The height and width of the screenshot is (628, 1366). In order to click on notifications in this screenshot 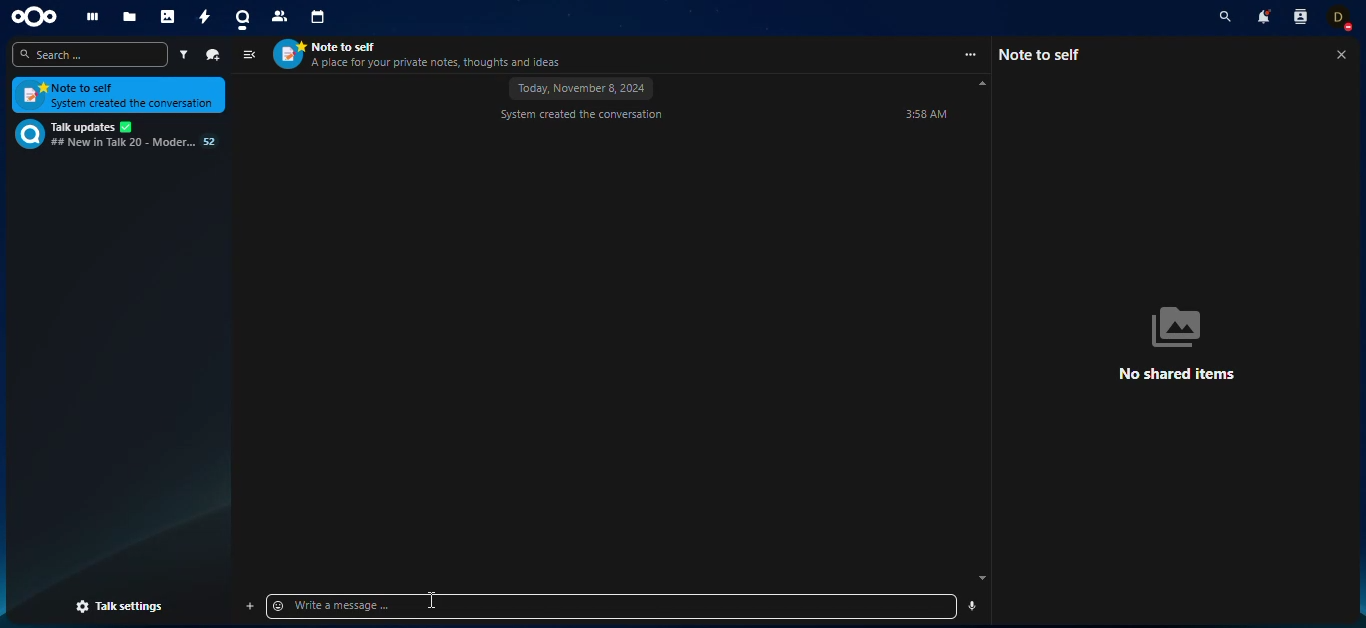, I will do `click(1261, 19)`.